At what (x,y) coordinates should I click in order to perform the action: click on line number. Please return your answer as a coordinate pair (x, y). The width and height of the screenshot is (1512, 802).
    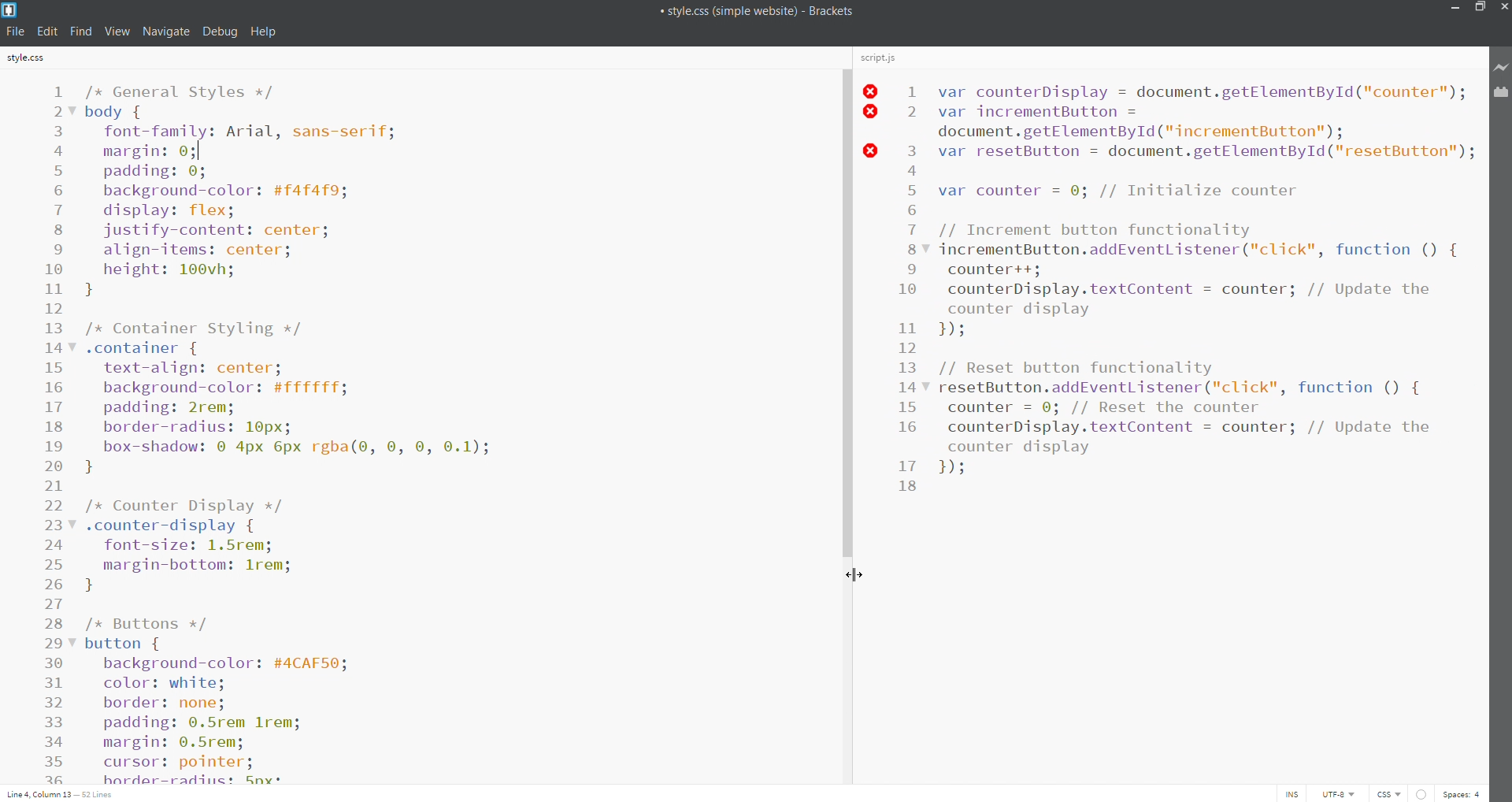
    Looking at the image, I should click on (907, 285).